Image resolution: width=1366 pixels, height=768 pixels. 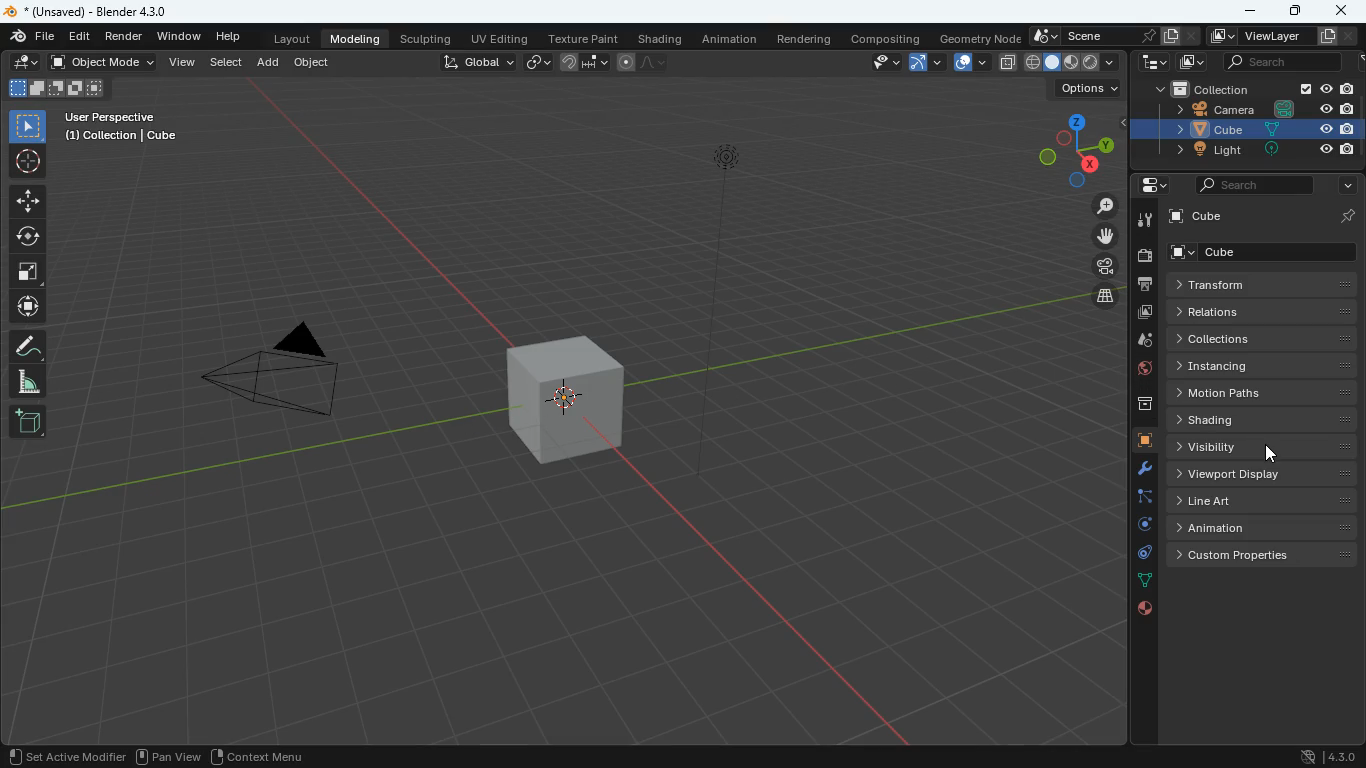 What do you see at coordinates (1268, 419) in the screenshot?
I see `shading` at bounding box center [1268, 419].